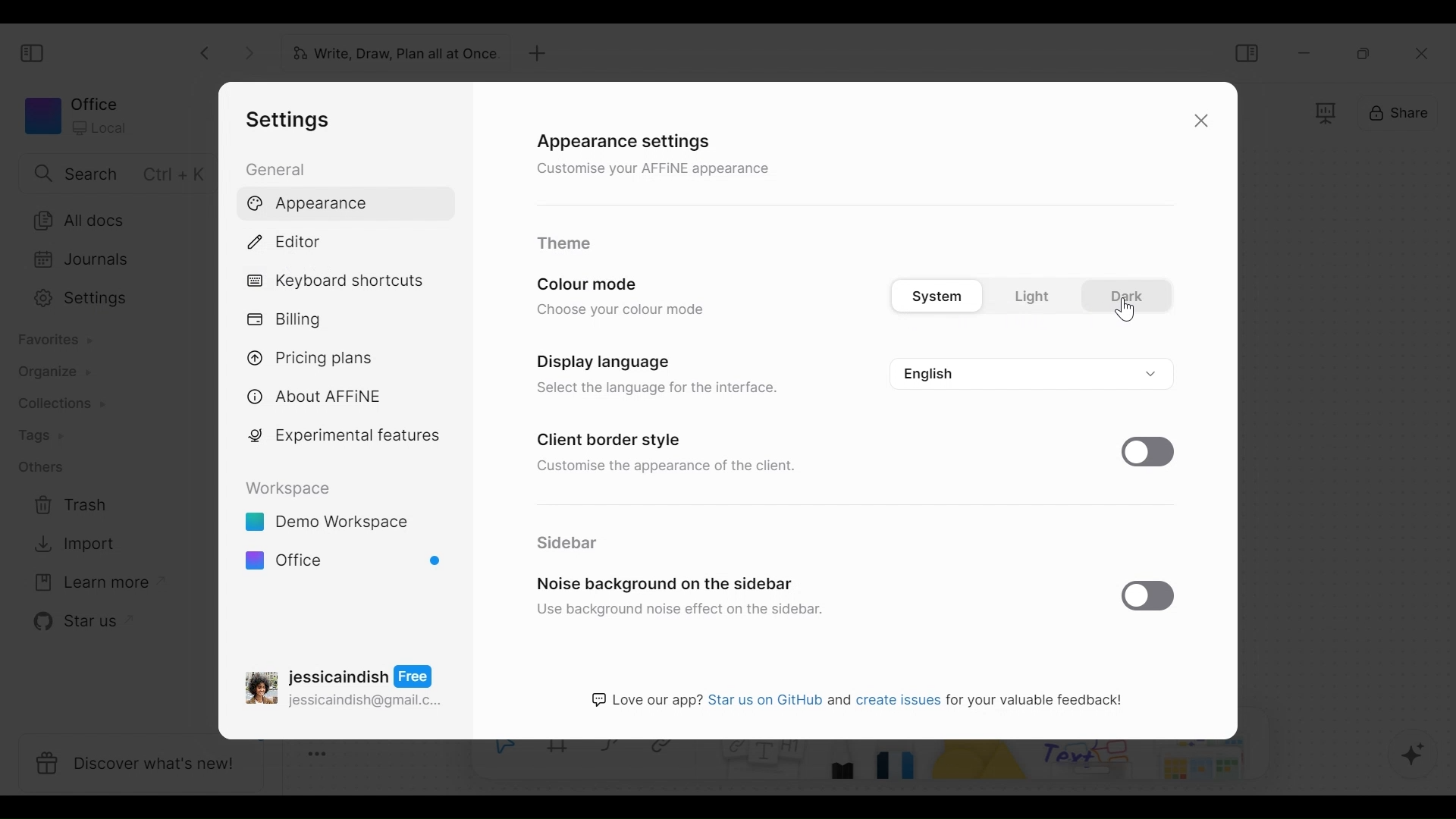 The height and width of the screenshot is (819, 1456). I want to click on Experimental features, so click(344, 435).